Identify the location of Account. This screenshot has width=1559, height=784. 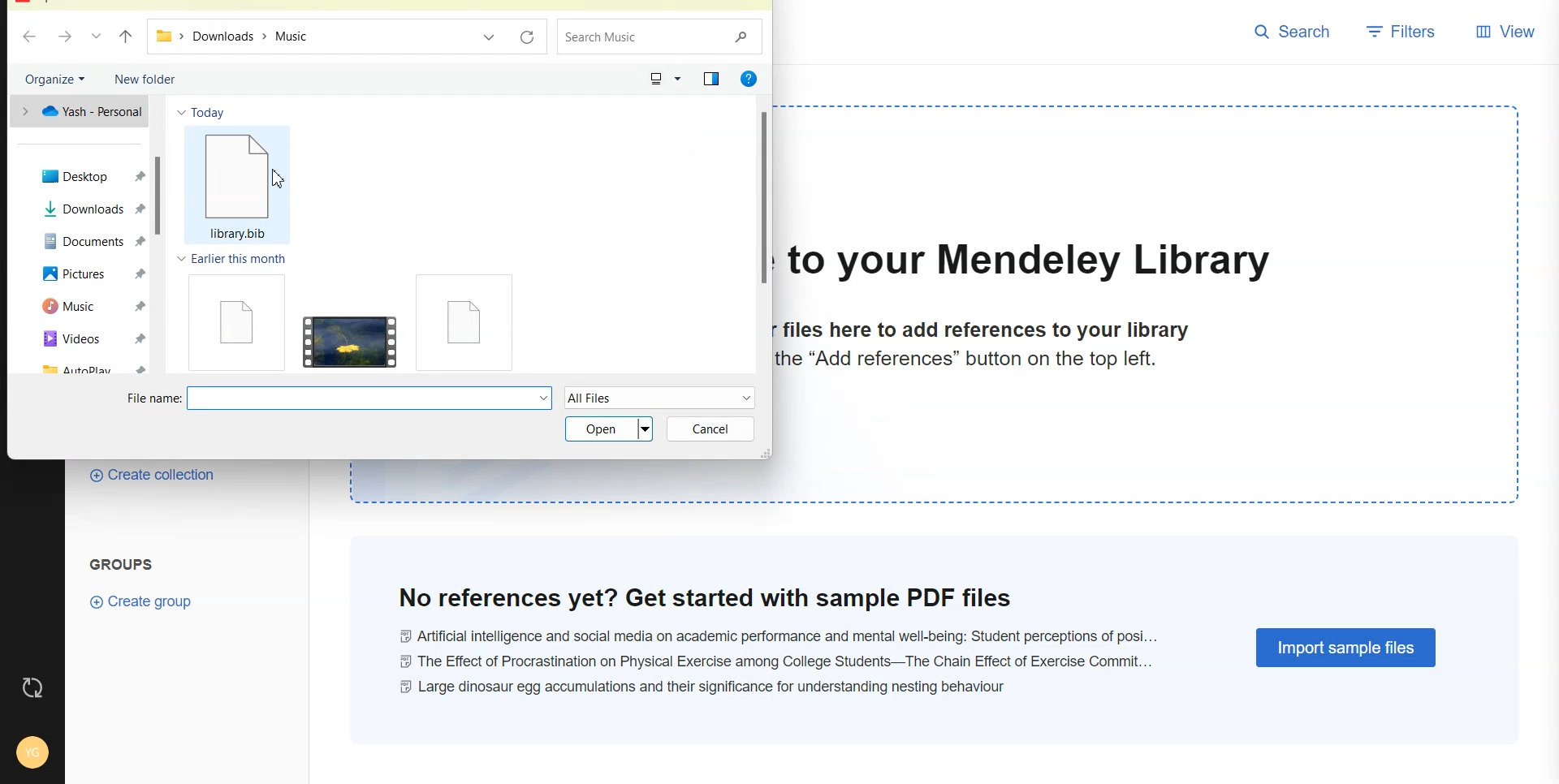
(34, 751).